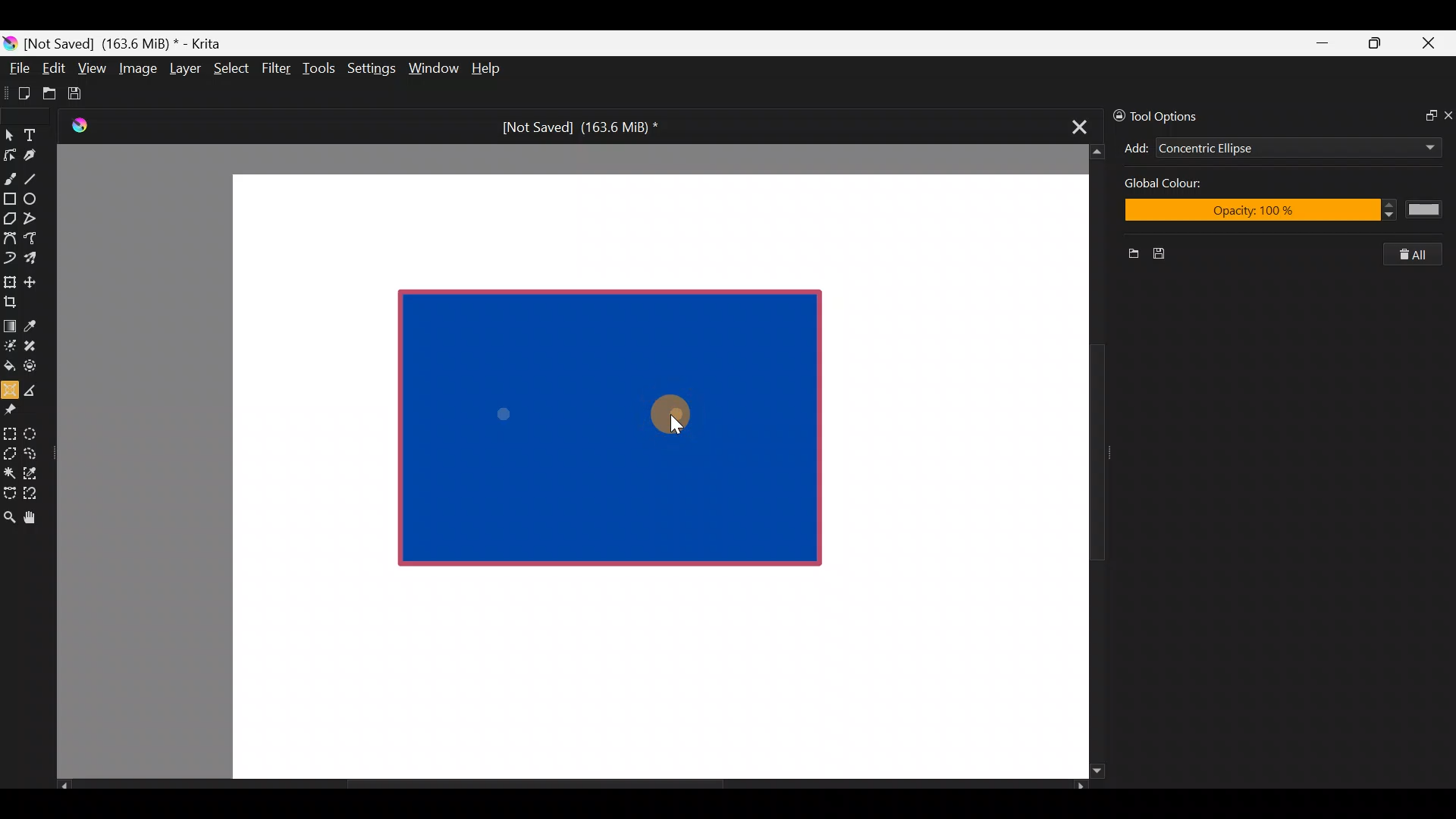 Image resolution: width=1456 pixels, height=819 pixels. What do you see at coordinates (33, 472) in the screenshot?
I see `Similar color selection tool` at bounding box center [33, 472].